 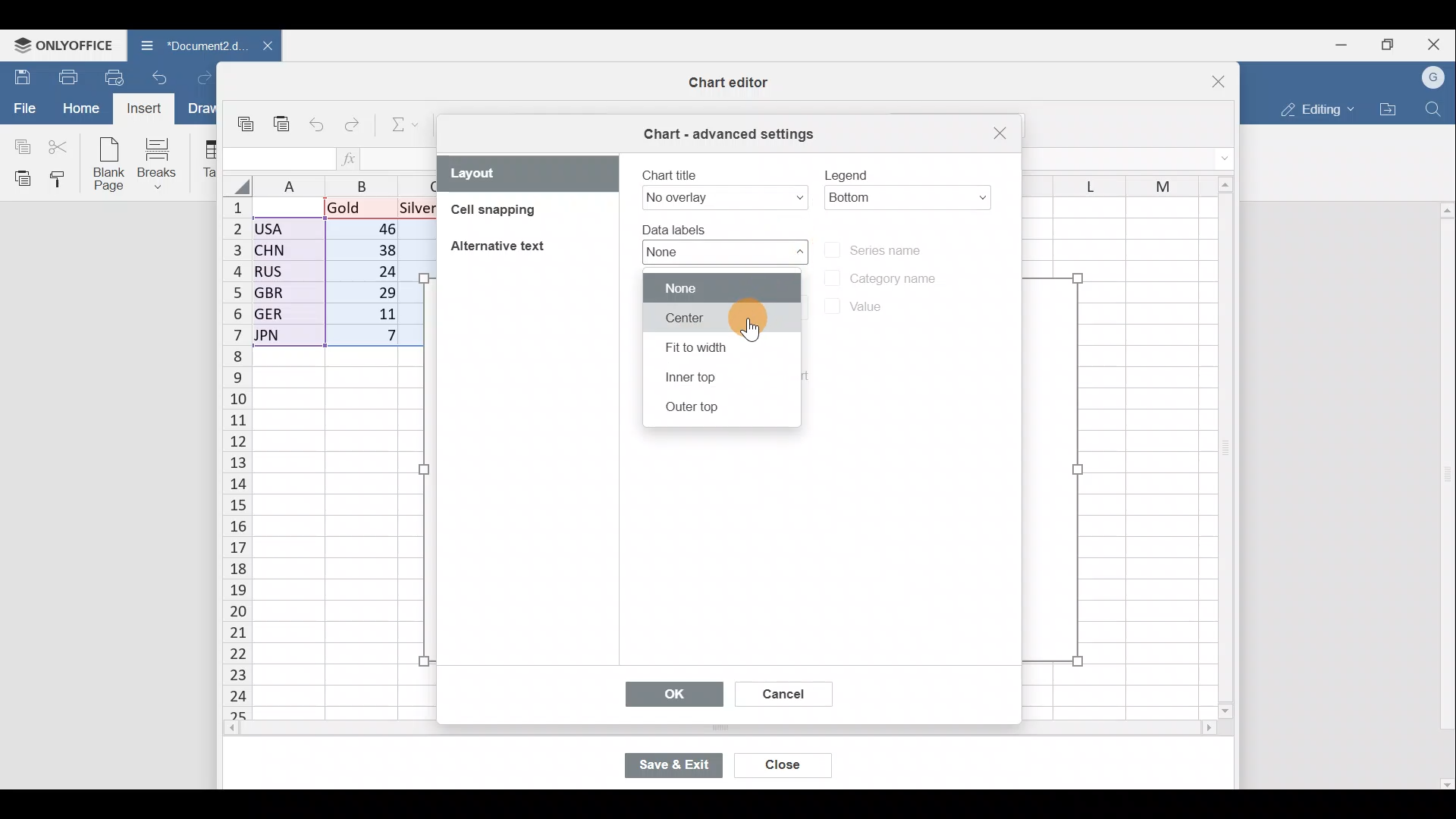 I want to click on Chart title, so click(x=723, y=186).